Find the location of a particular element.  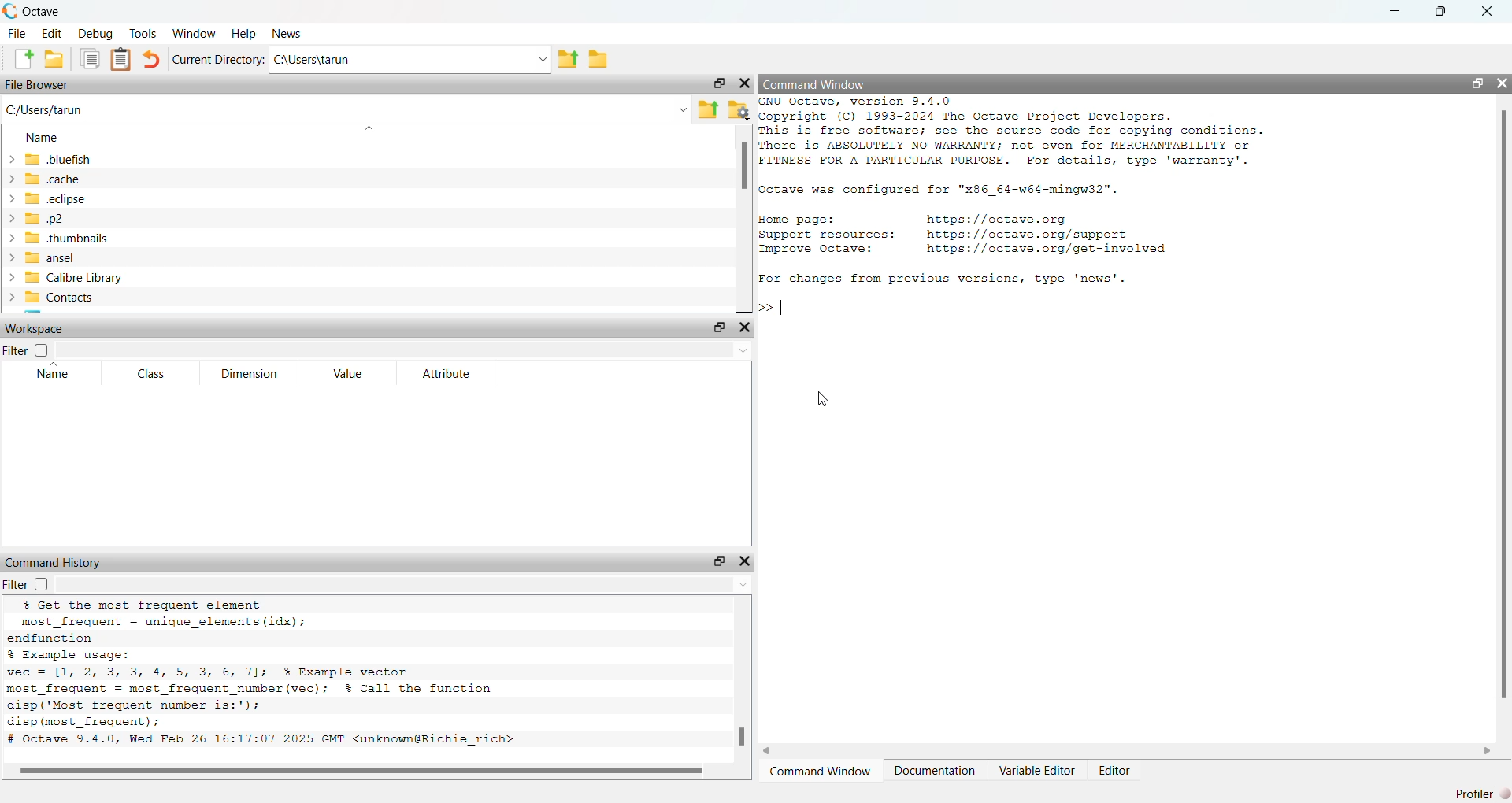

.bluefish is located at coordinates (59, 158).